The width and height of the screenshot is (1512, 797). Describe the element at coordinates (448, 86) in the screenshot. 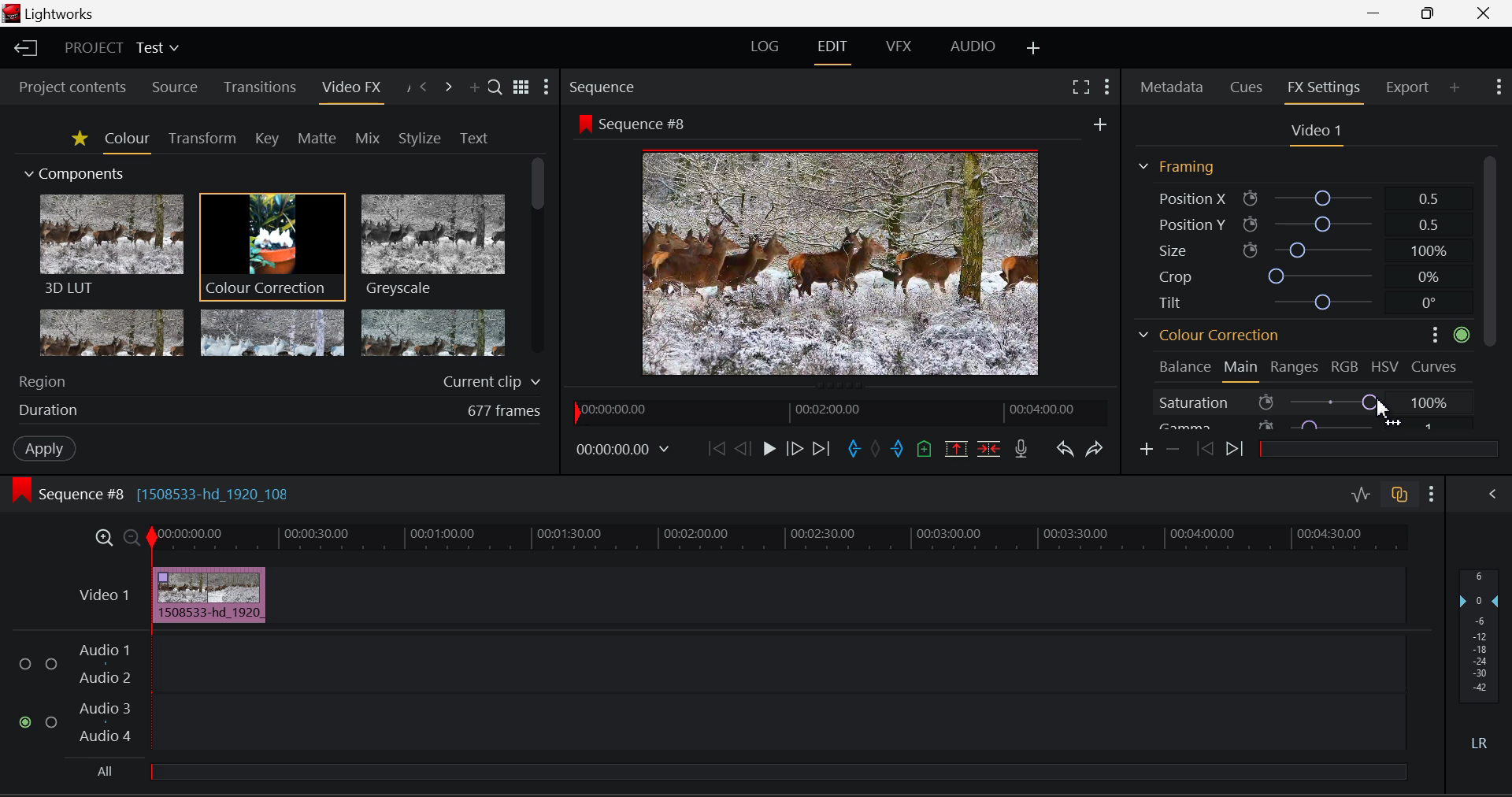

I see `Next Panel` at that location.